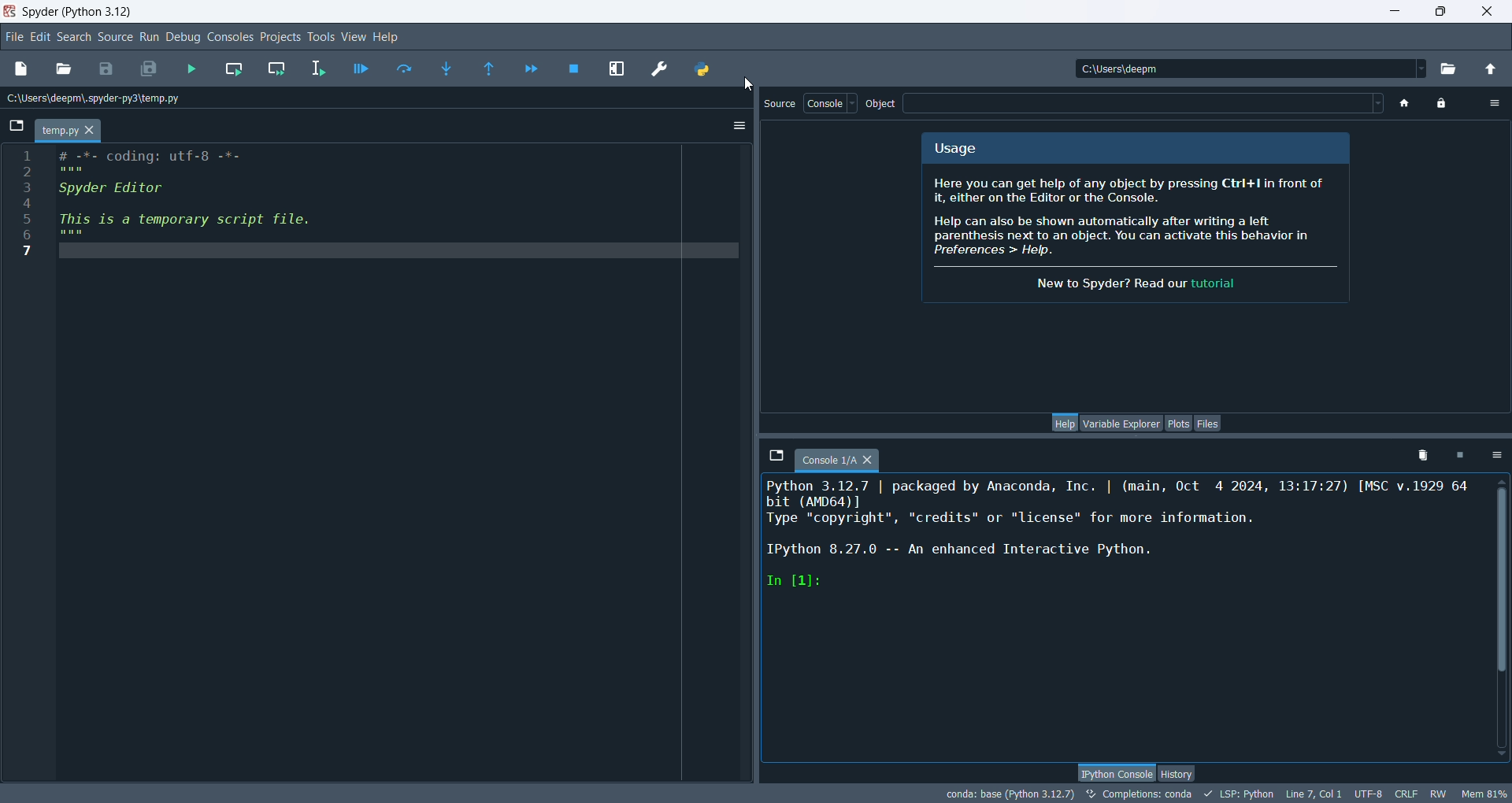 The image size is (1512, 803). What do you see at coordinates (201, 202) in the screenshot?
I see `editor pane code` at bounding box center [201, 202].